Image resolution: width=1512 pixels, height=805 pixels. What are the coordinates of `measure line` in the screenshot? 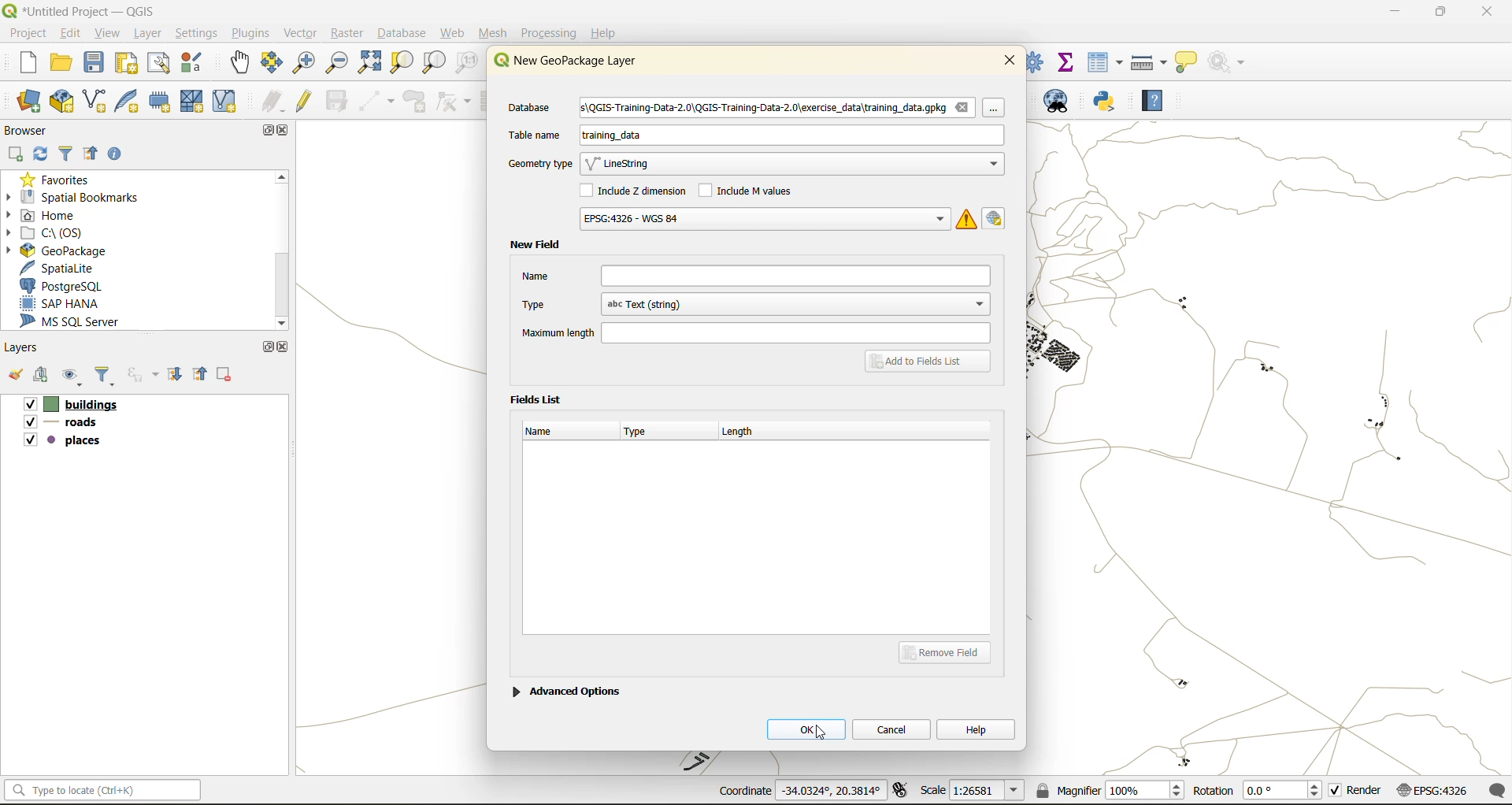 It's located at (1151, 62).